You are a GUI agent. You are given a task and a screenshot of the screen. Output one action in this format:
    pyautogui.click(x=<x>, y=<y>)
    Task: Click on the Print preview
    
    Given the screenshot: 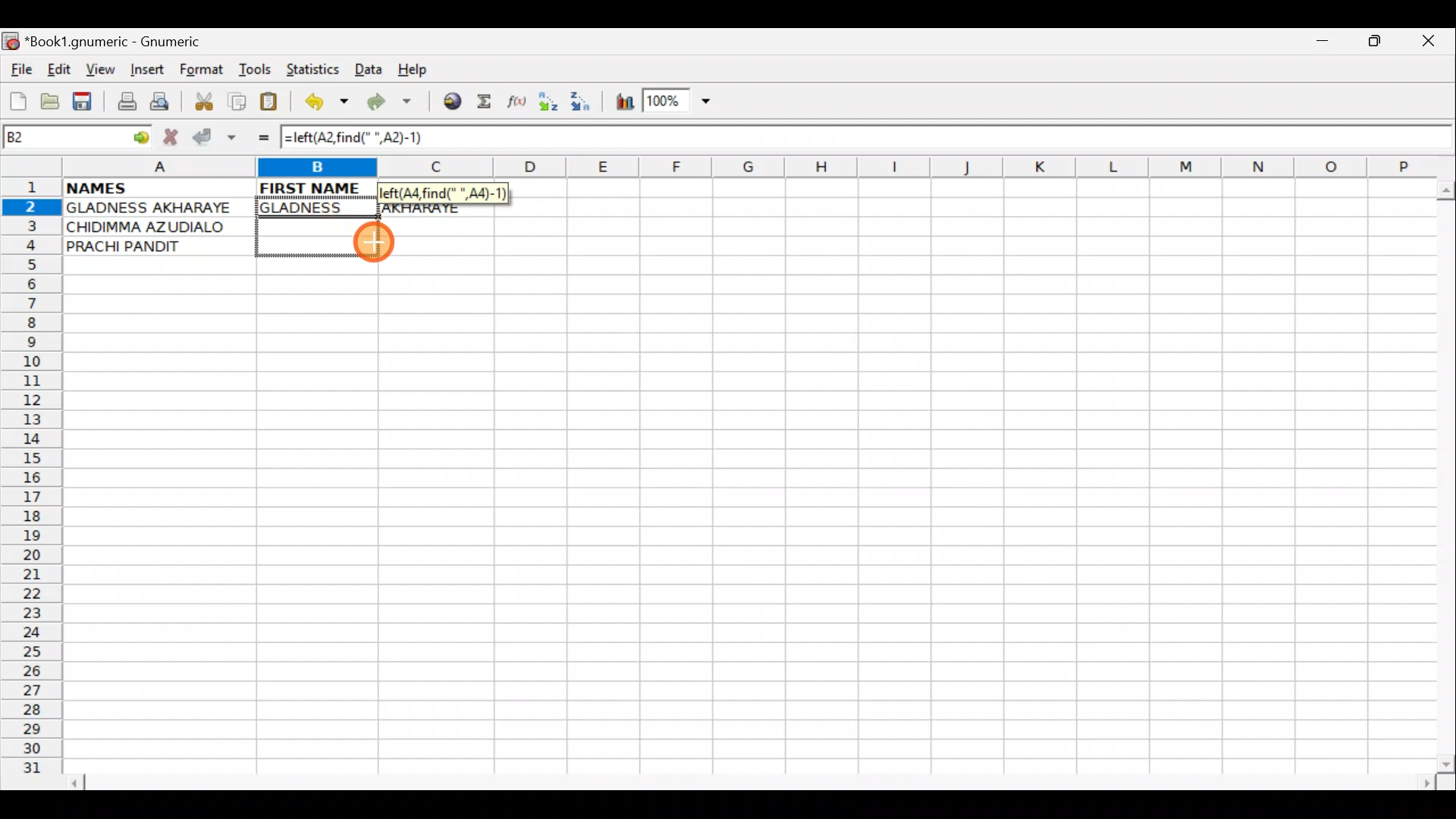 What is the action you would take?
    pyautogui.click(x=160, y=105)
    